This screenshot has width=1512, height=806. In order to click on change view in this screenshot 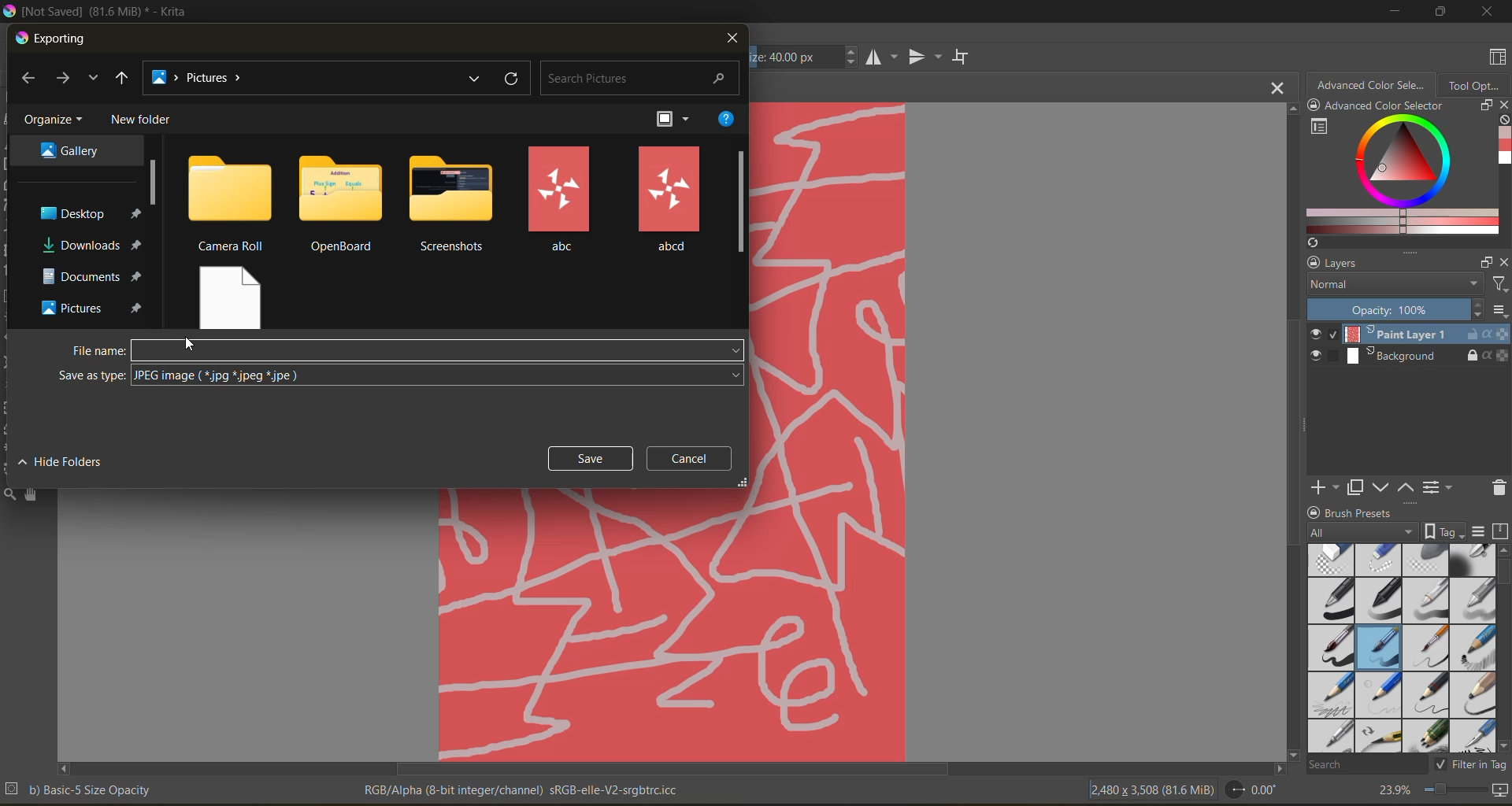, I will do `click(678, 120)`.